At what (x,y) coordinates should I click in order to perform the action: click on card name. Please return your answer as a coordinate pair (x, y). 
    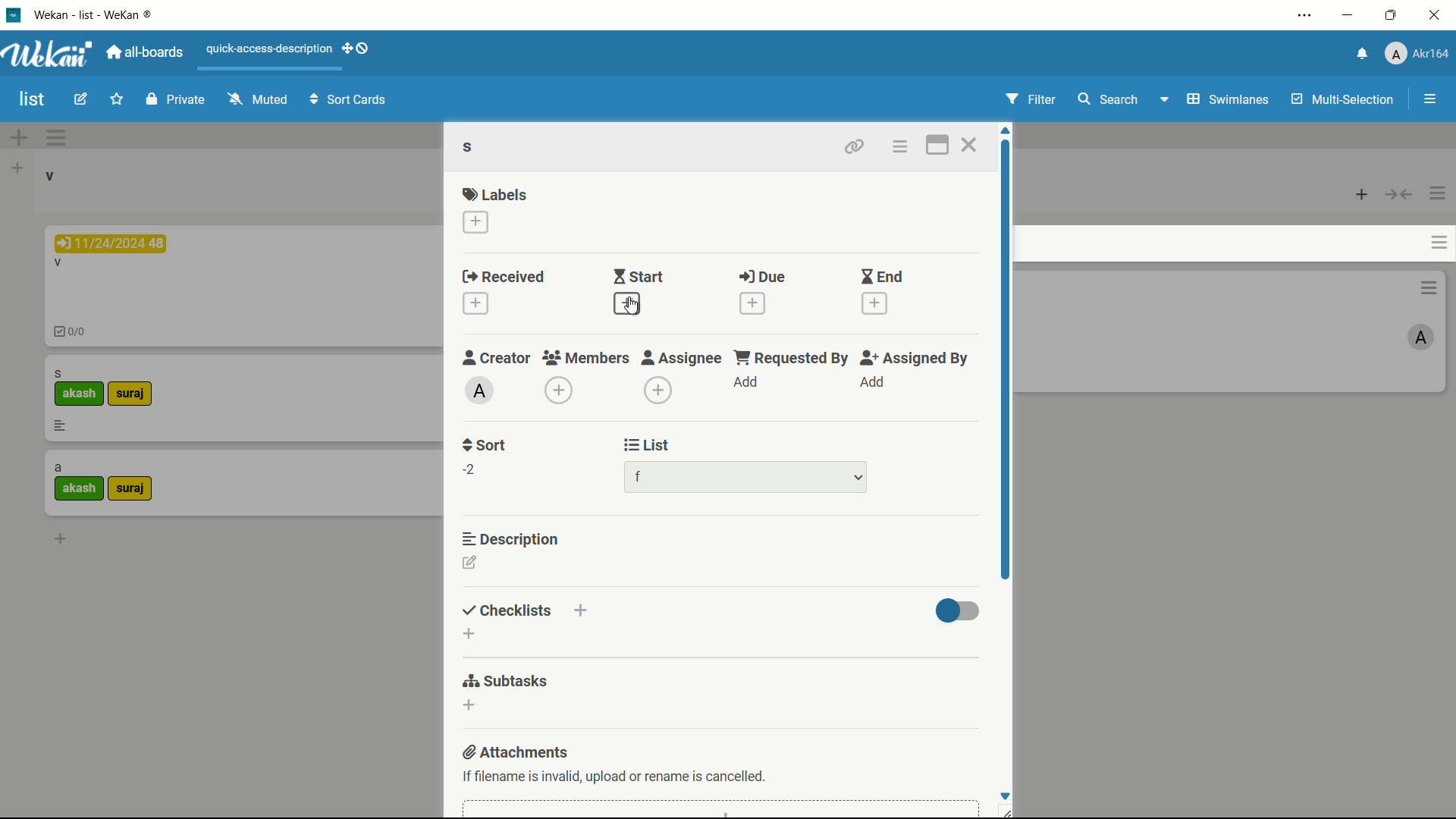
    Looking at the image, I should click on (58, 265).